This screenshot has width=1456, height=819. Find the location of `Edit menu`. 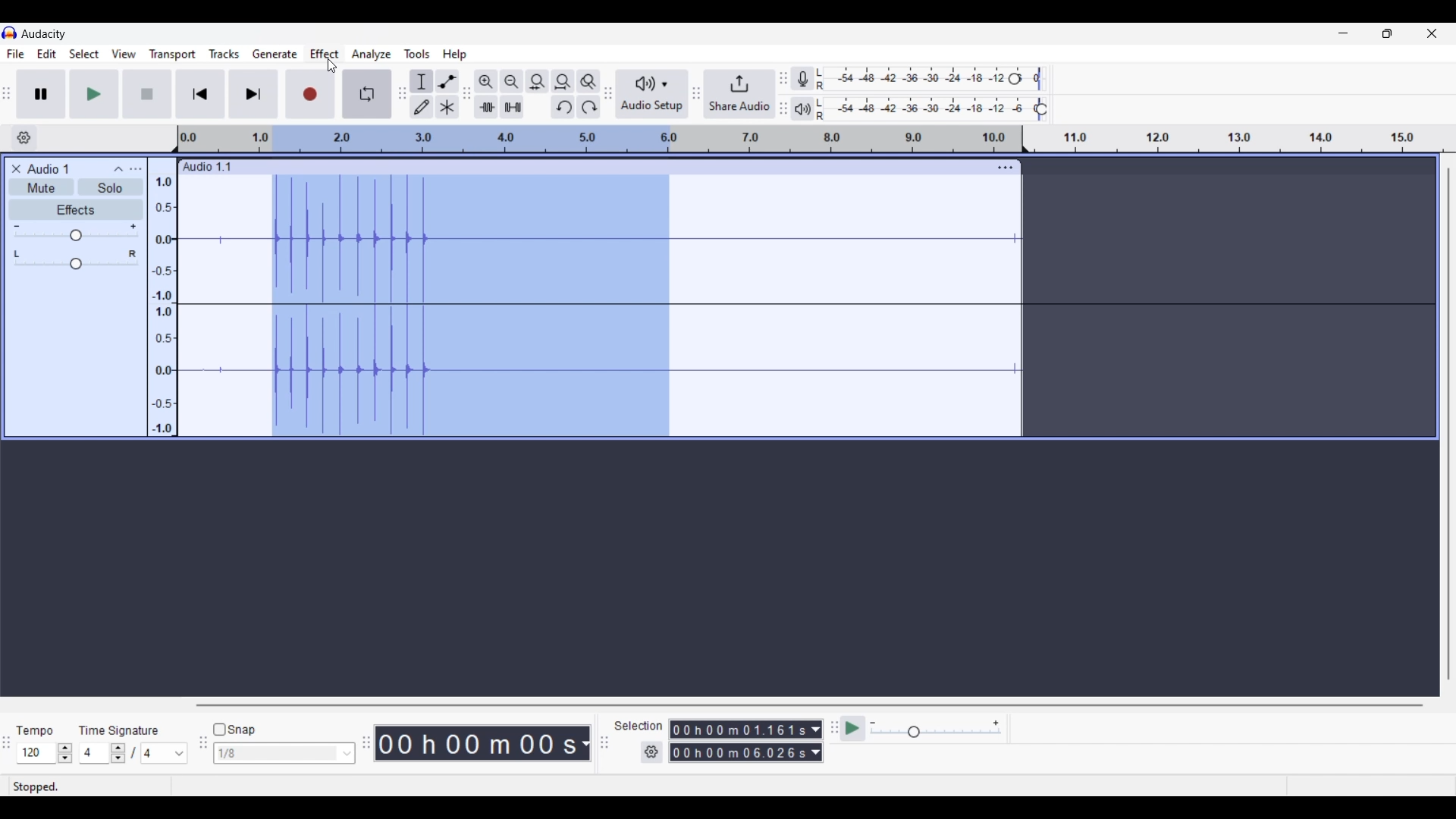

Edit menu is located at coordinates (47, 53).